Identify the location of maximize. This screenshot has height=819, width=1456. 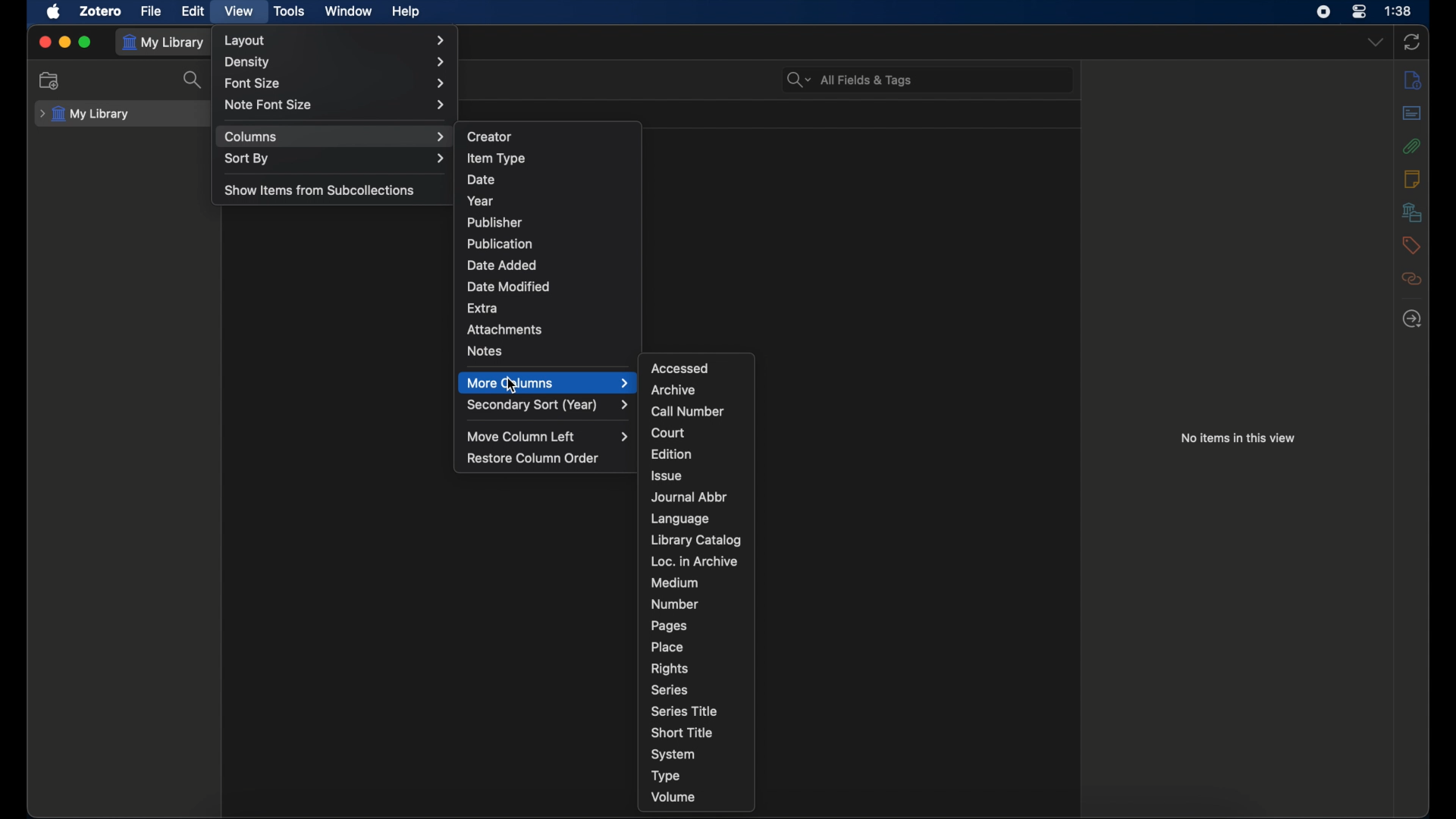
(86, 42).